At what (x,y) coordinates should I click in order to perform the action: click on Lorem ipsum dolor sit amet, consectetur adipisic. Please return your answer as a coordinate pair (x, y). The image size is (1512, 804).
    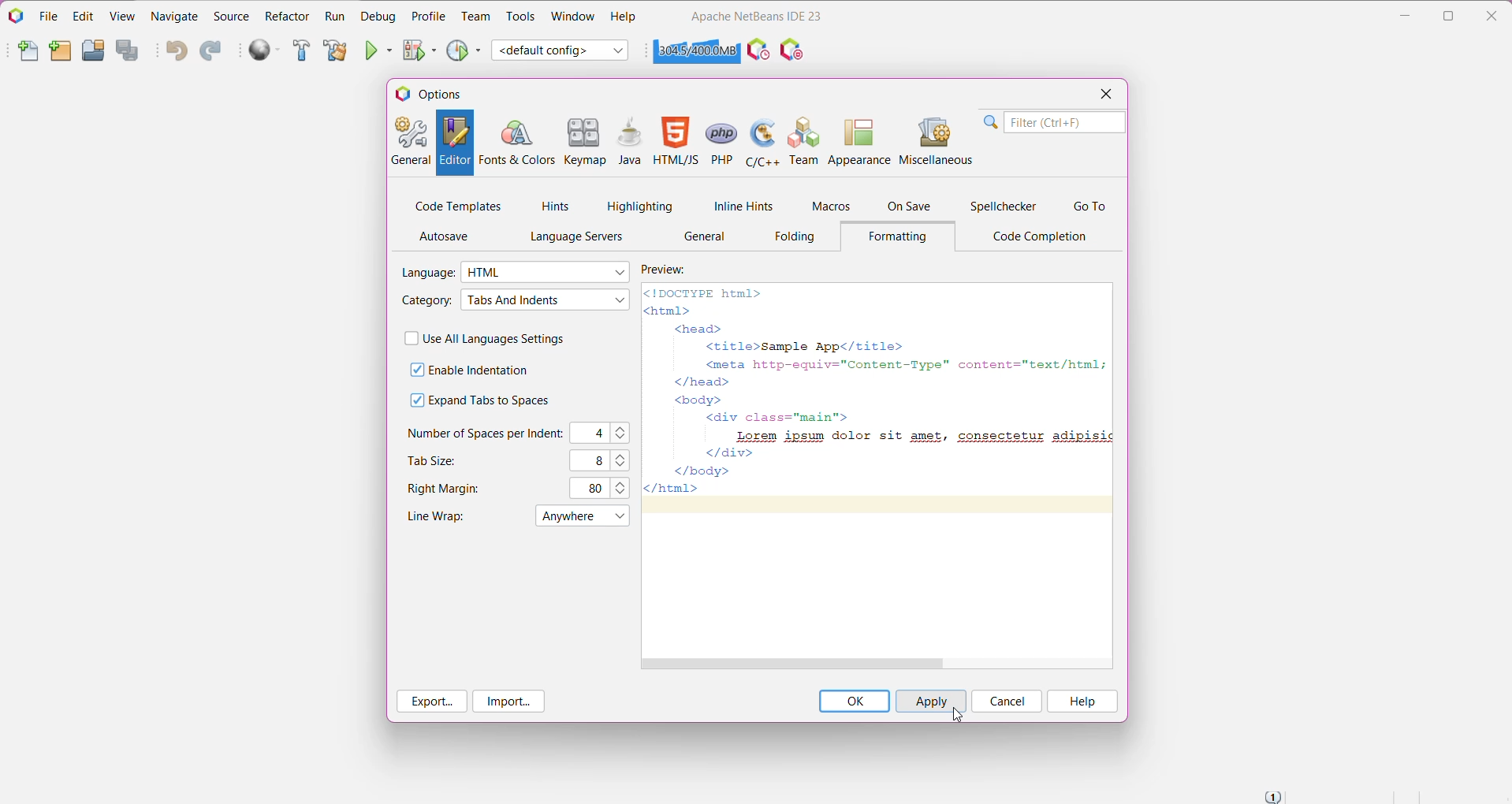
    Looking at the image, I should click on (918, 435).